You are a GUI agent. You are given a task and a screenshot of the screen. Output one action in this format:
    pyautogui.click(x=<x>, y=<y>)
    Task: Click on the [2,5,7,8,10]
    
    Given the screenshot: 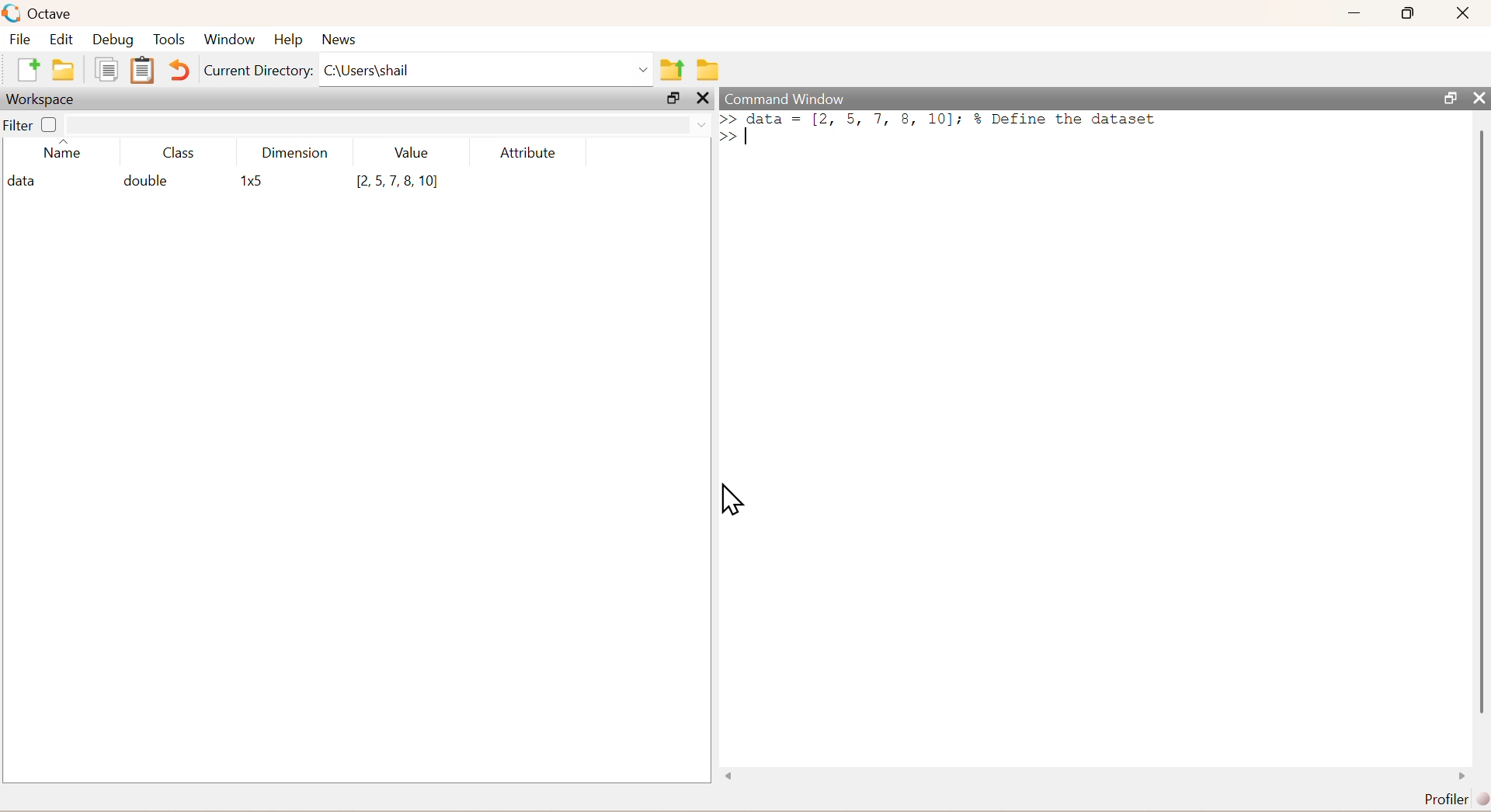 What is the action you would take?
    pyautogui.click(x=398, y=182)
    